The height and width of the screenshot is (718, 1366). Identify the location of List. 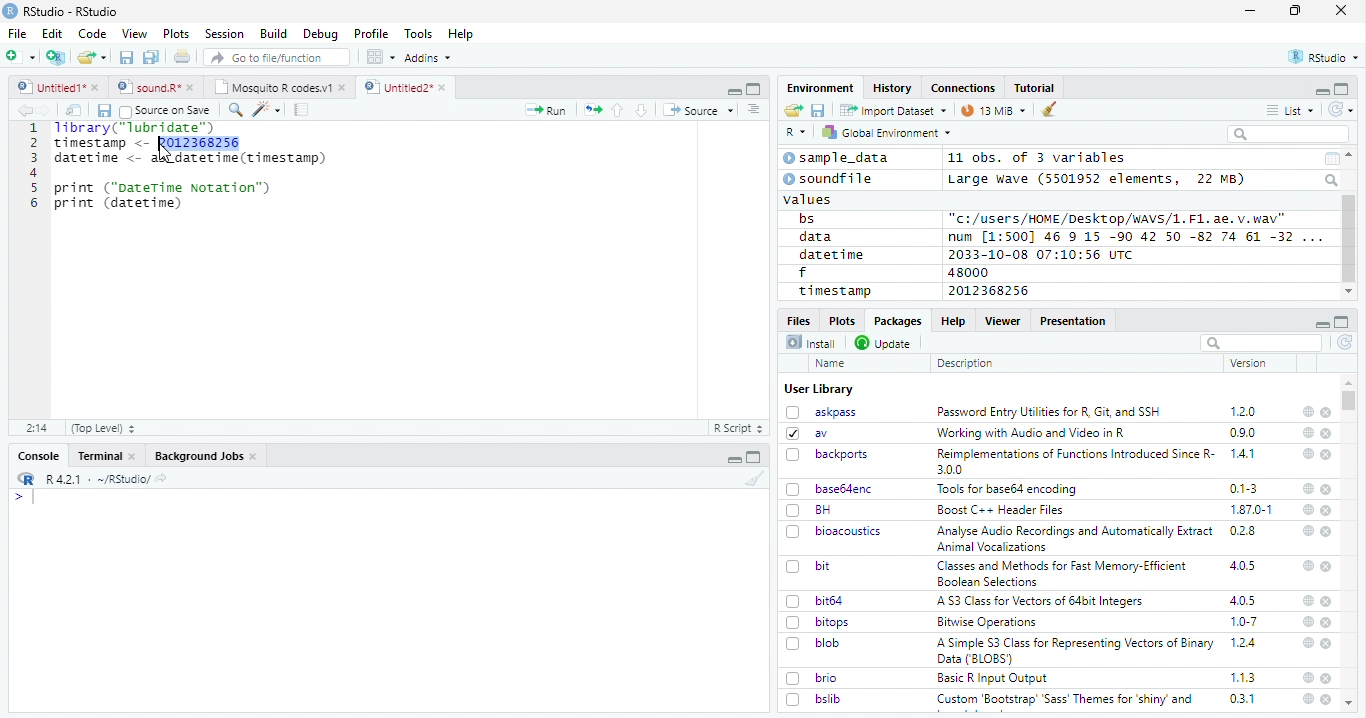
(1291, 111).